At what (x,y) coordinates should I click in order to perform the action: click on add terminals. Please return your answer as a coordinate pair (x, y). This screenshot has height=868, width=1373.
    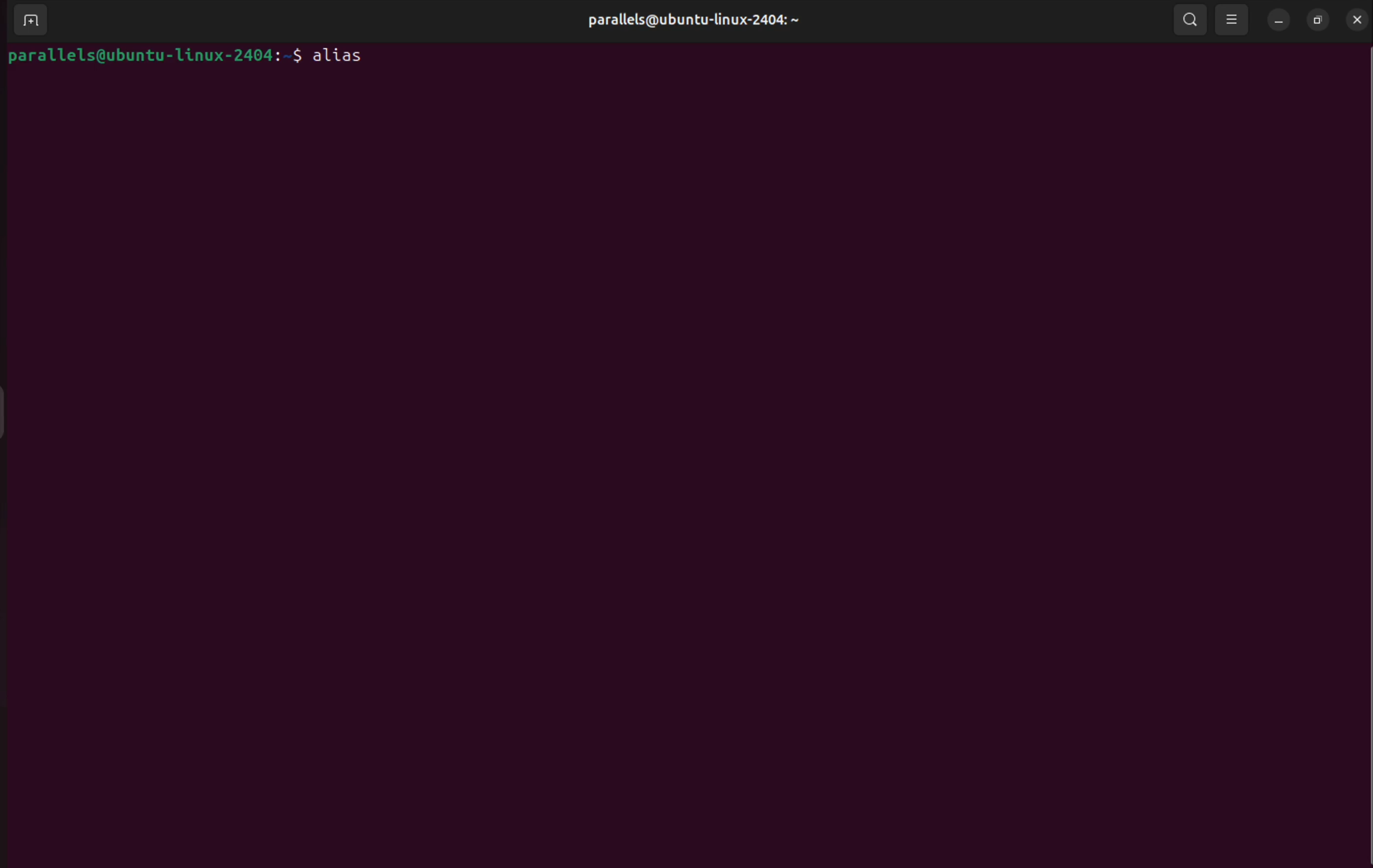
    Looking at the image, I should click on (29, 20).